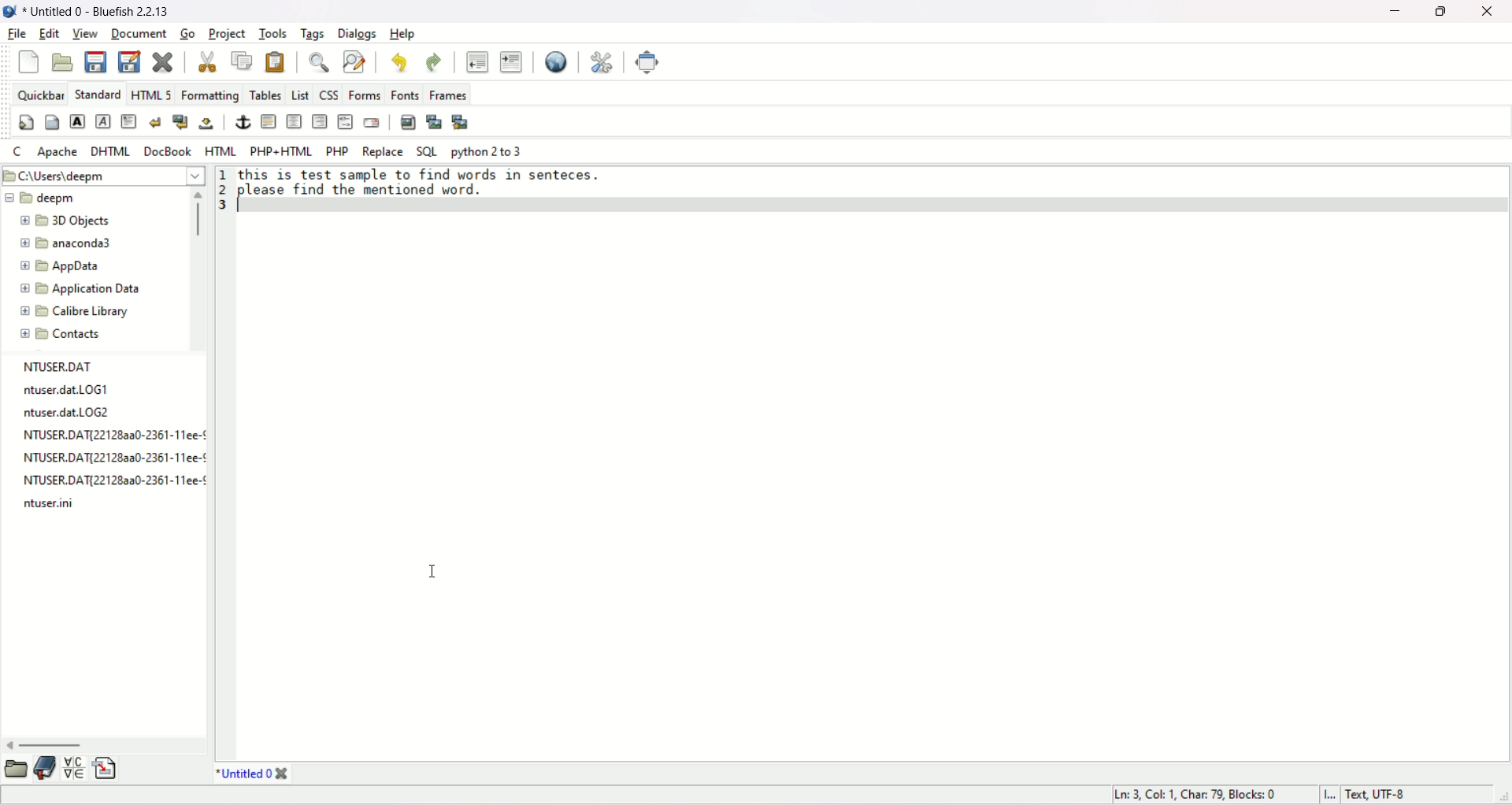 This screenshot has height=805, width=1512. Describe the element at coordinates (337, 150) in the screenshot. I see `PHP` at that location.